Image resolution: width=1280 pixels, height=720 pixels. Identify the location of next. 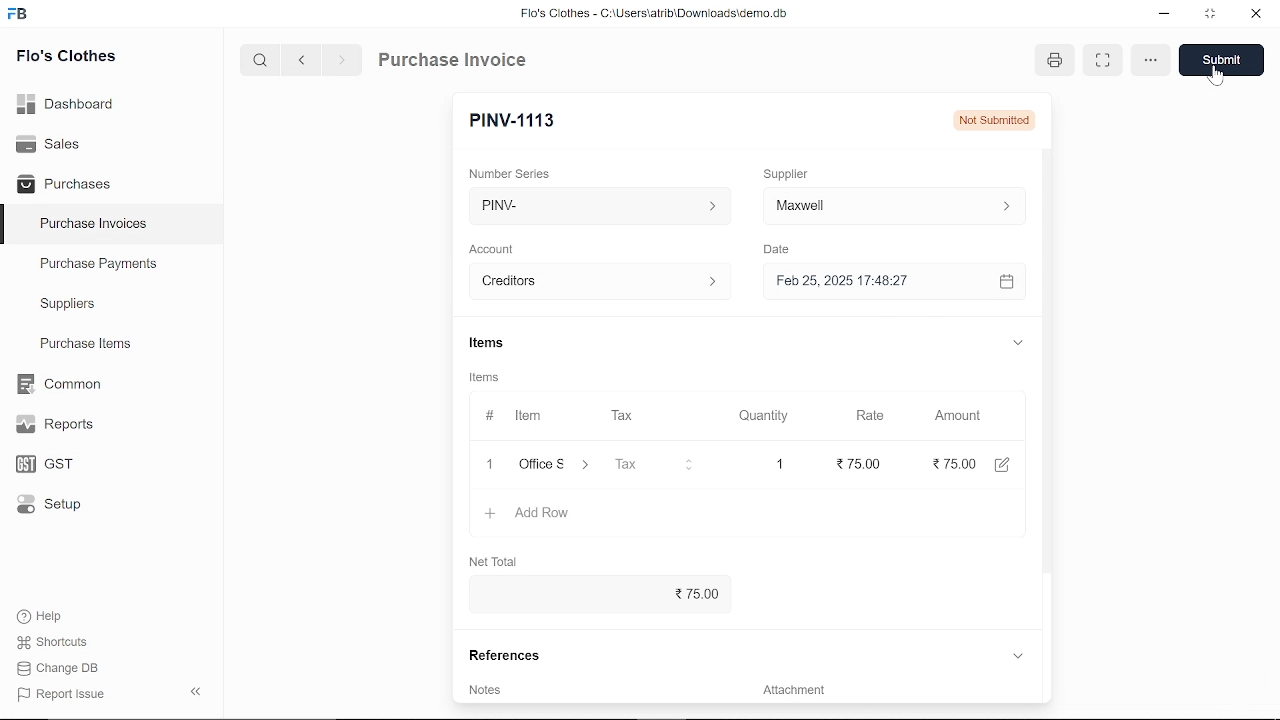
(342, 63).